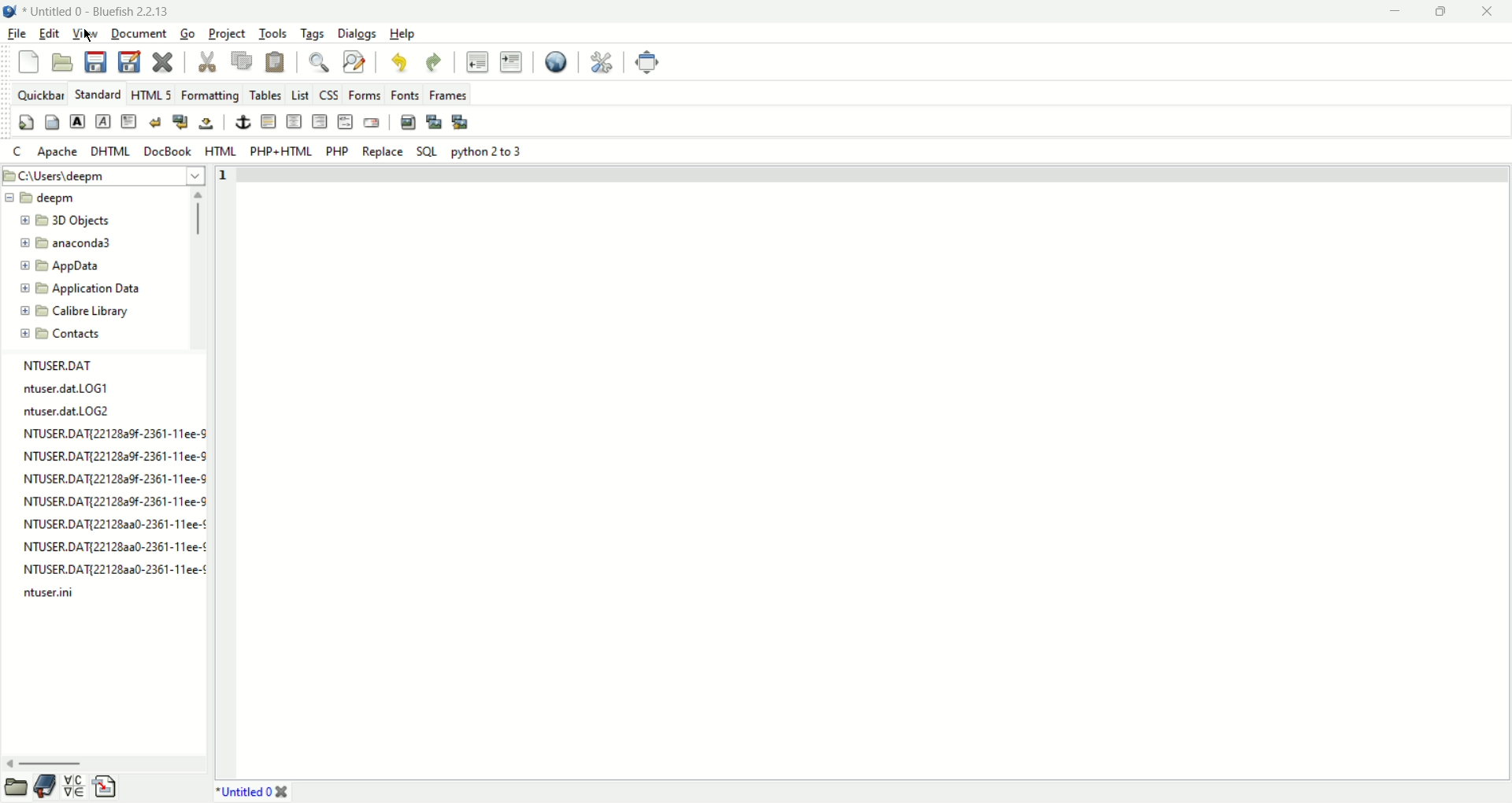 This screenshot has width=1512, height=803. Describe the element at coordinates (244, 793) in the screenshot. I see `document name` at that location.